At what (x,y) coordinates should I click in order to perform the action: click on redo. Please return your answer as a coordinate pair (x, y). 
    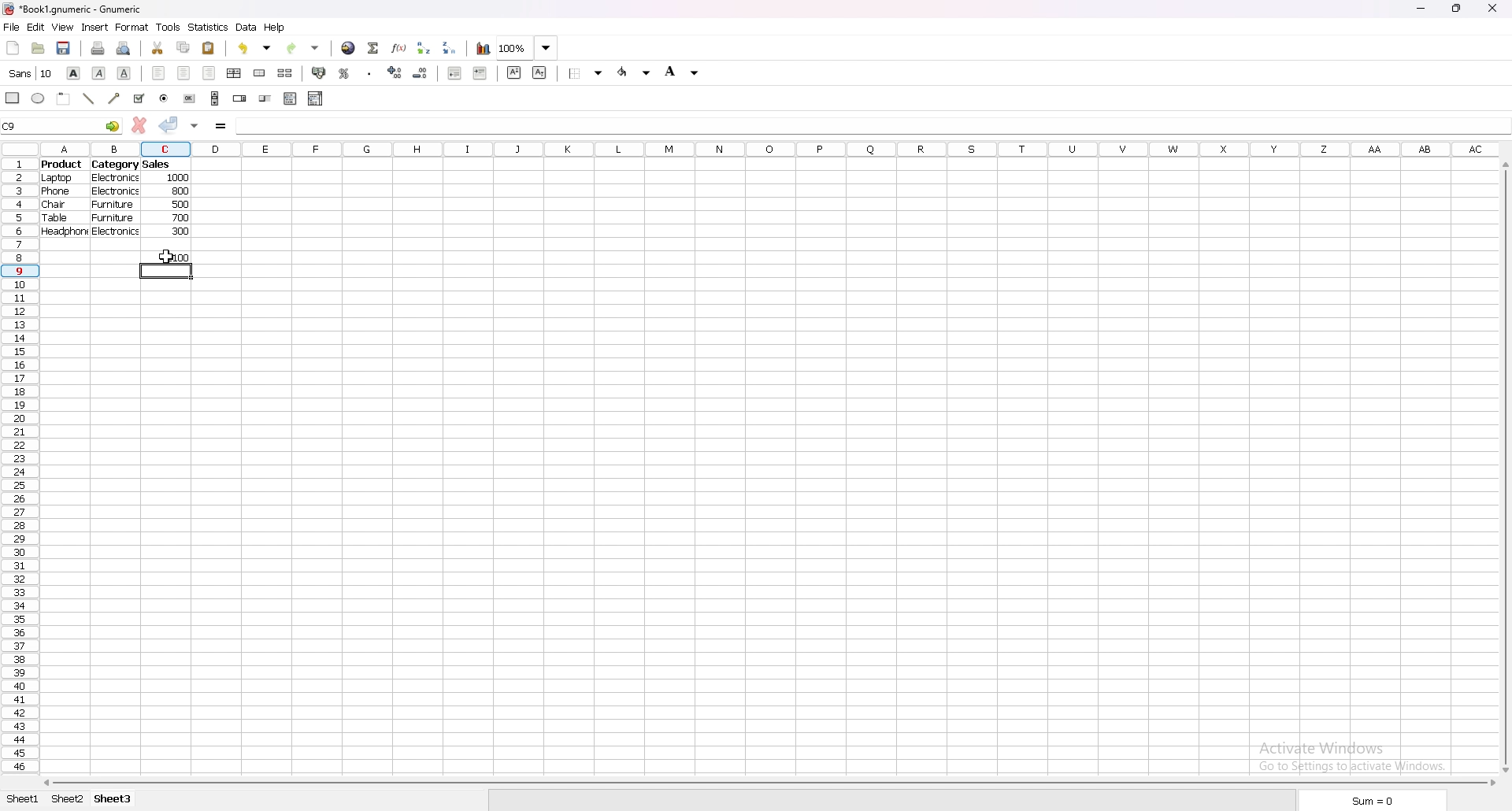
    Looking at the image, I should click on (304, 47).